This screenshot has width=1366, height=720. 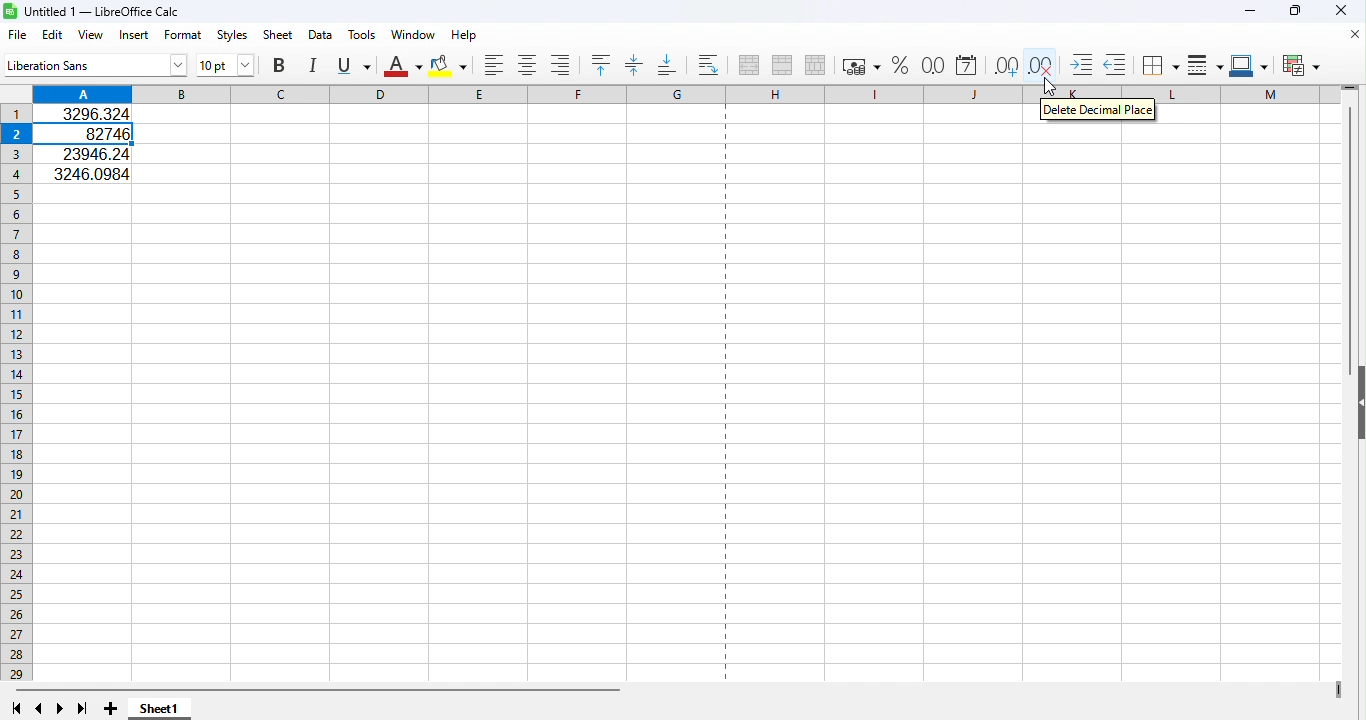 What do you see at coordinates (83, 709) in the screenshot?
I see `Scroll to last sheet` at bounding box center [83, 709].